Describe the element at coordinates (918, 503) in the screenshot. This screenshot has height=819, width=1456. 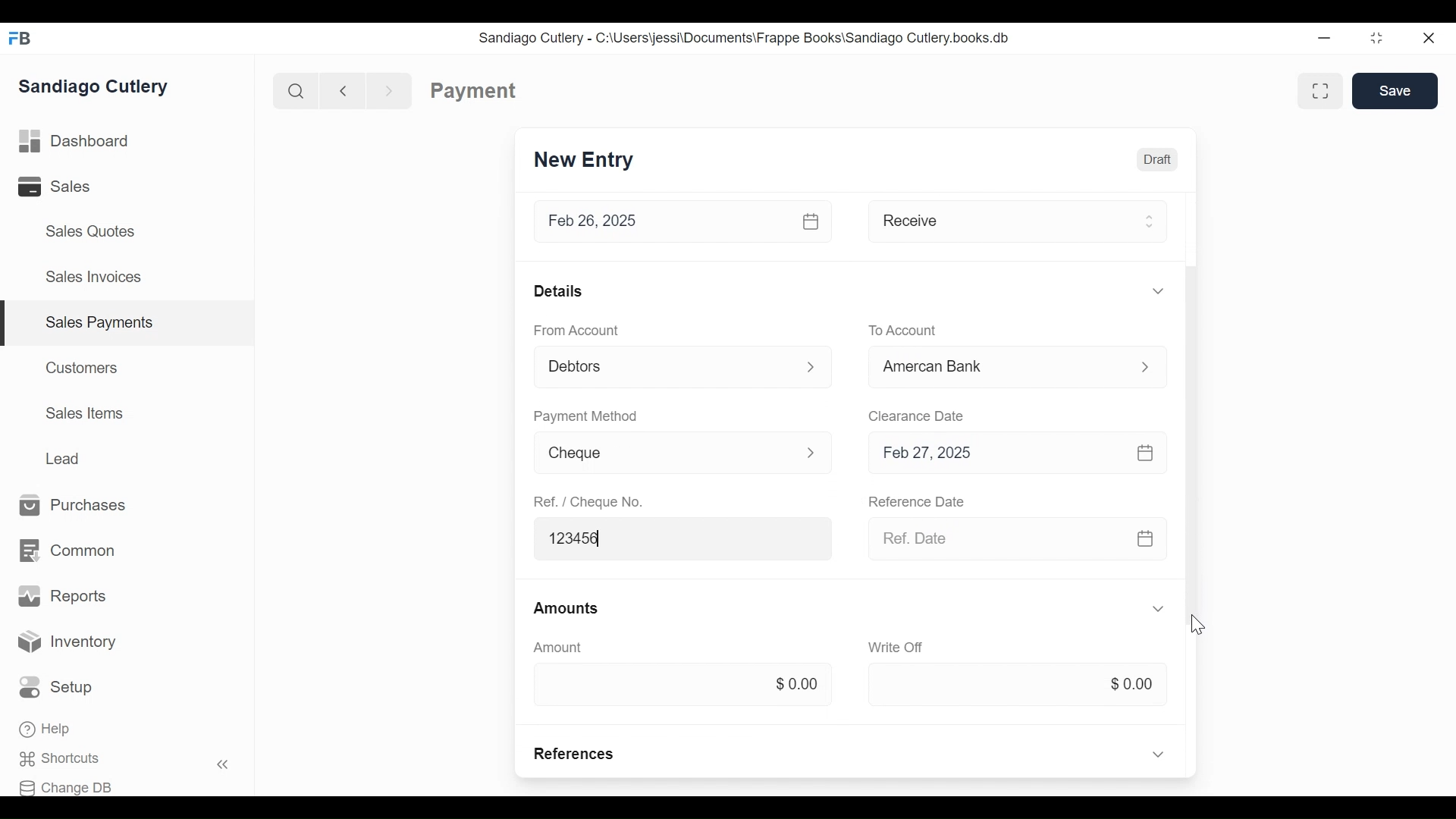
I see `Reference Date` at that location.